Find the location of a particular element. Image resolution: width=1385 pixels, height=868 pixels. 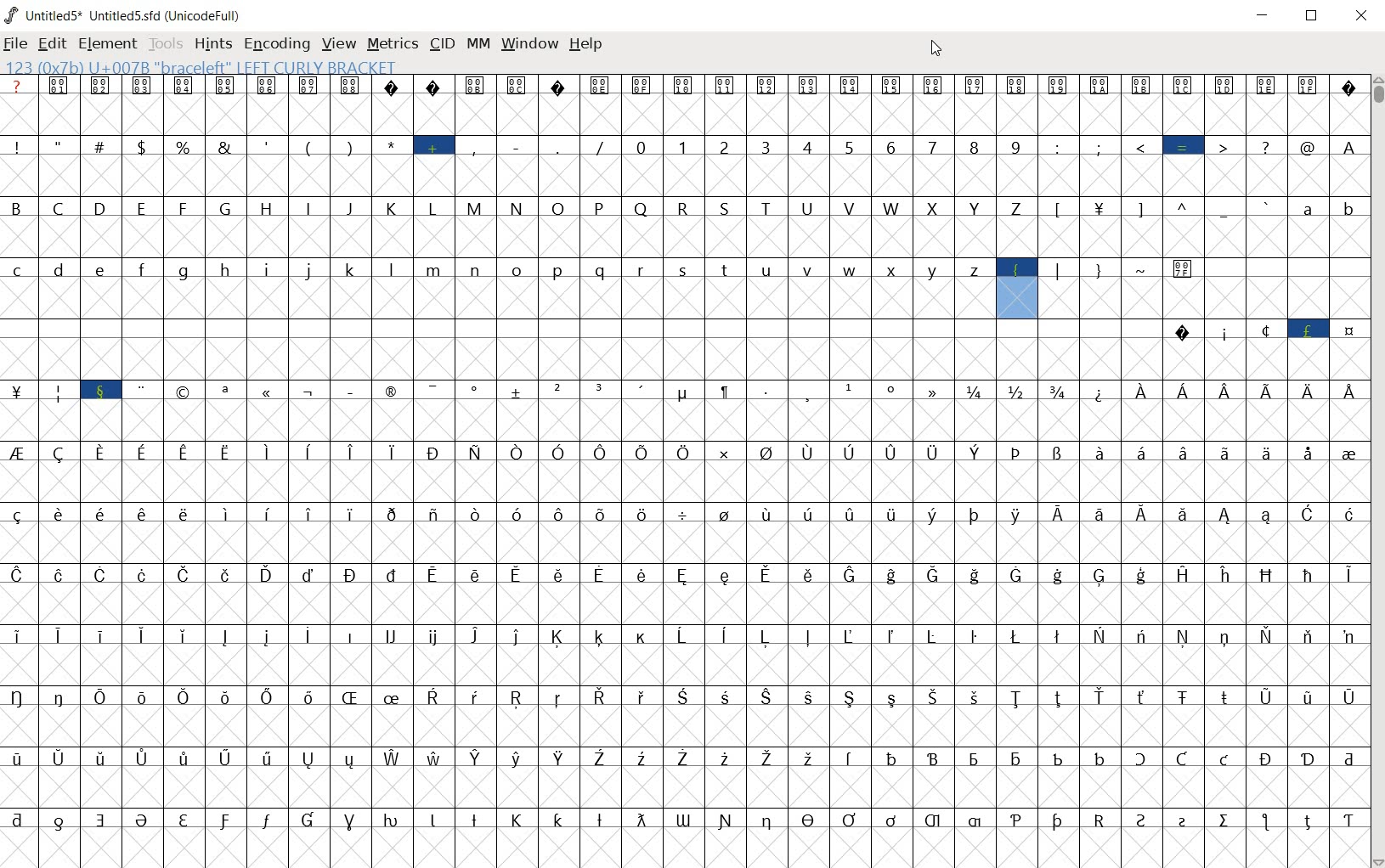

EDIT is located at coordinates (52, 45).